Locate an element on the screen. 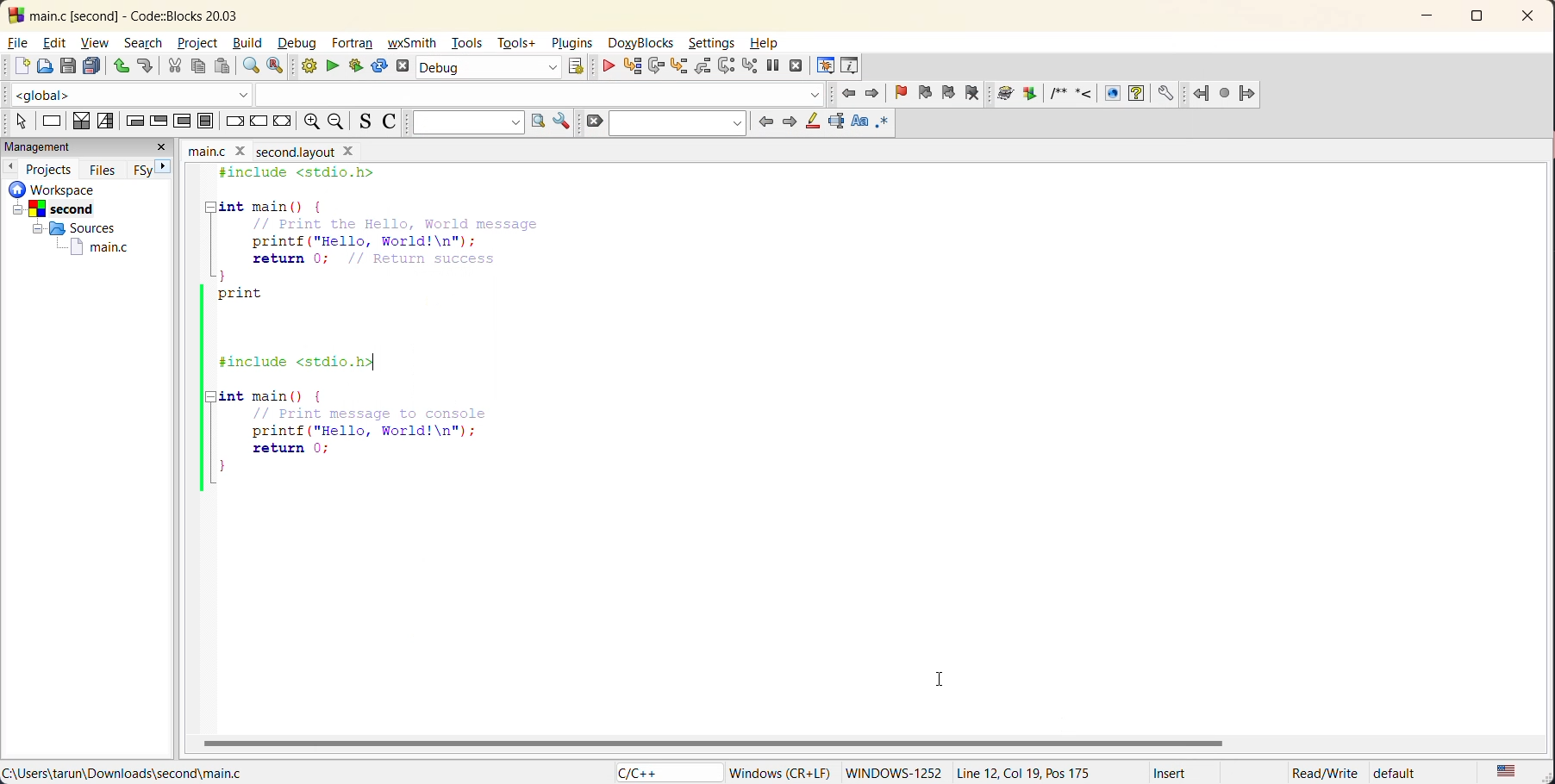  selected text is located at coordinates (834, 121).